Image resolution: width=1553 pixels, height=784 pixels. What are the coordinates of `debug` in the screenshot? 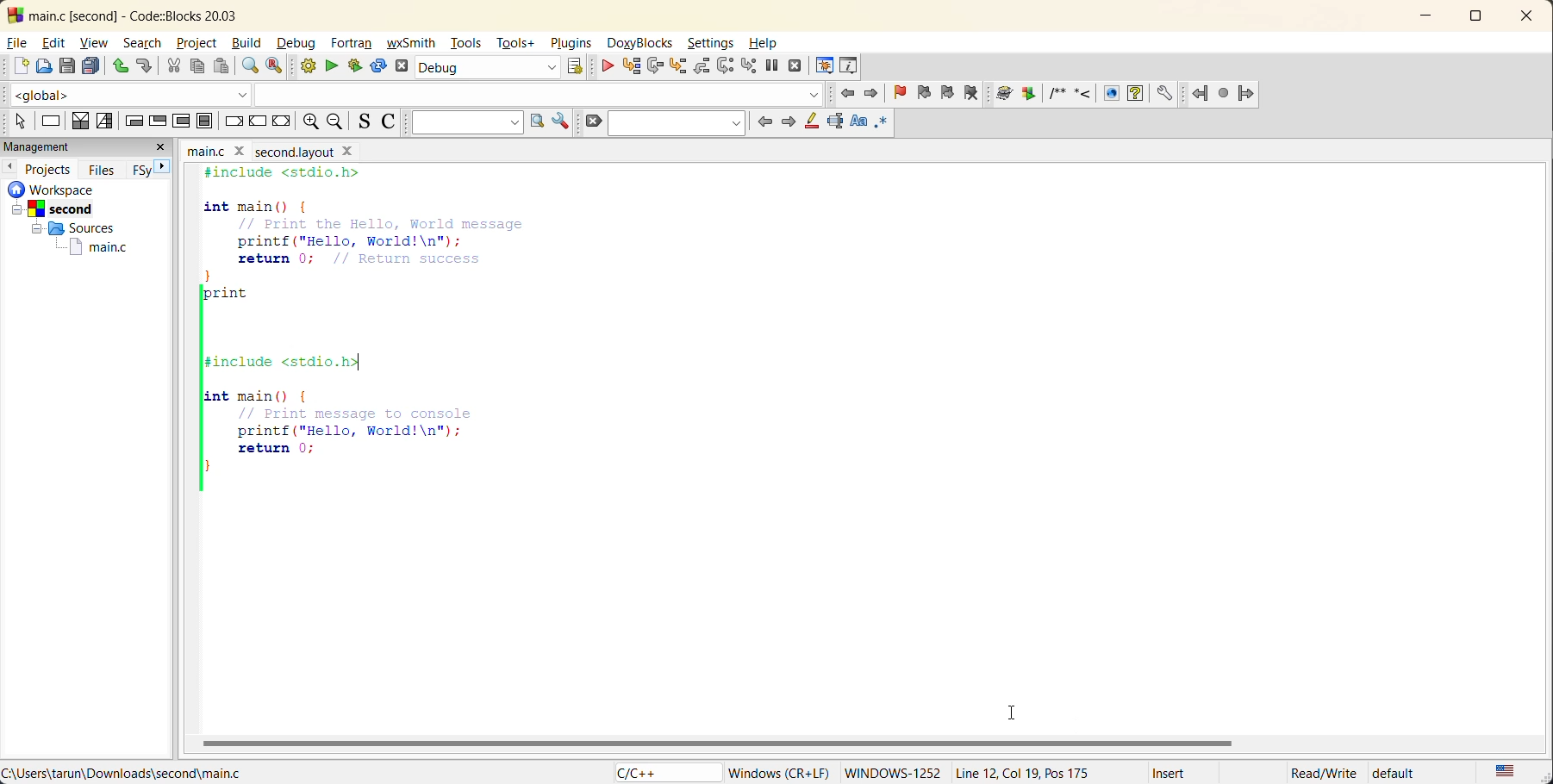 It's located at (297, 44).